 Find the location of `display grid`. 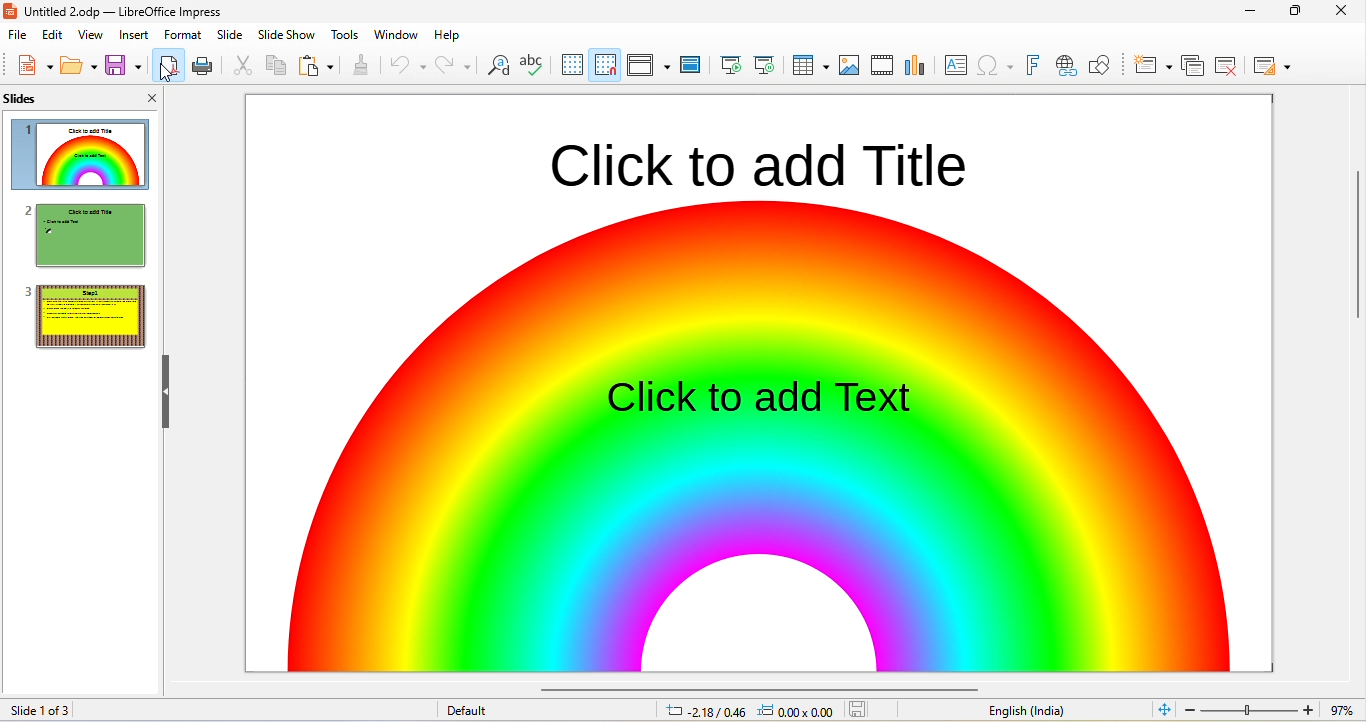

display grid is located at coordinates (571, 65).